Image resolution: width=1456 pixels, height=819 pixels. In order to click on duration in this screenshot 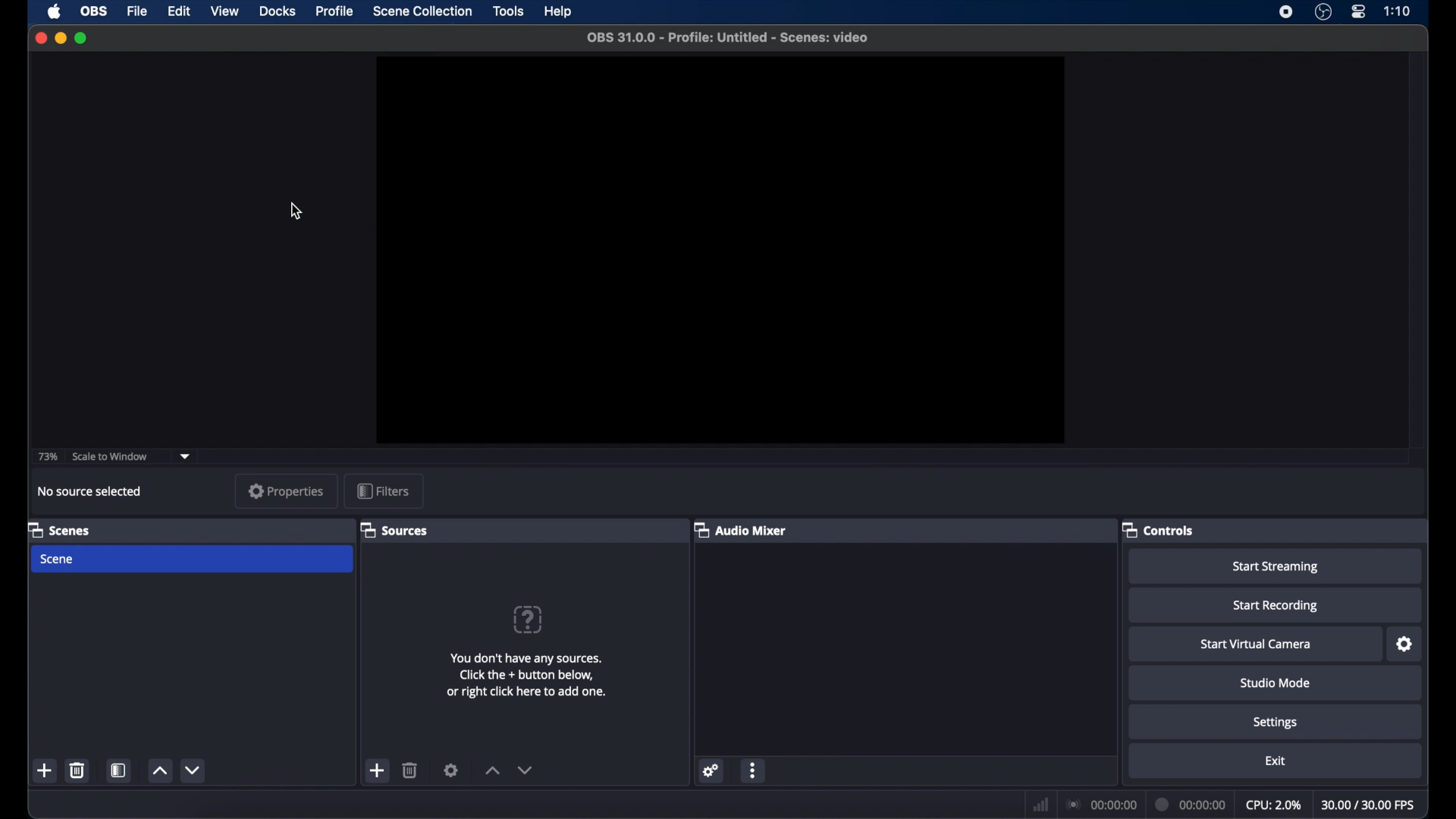, I will do `click(1191, 804)`.